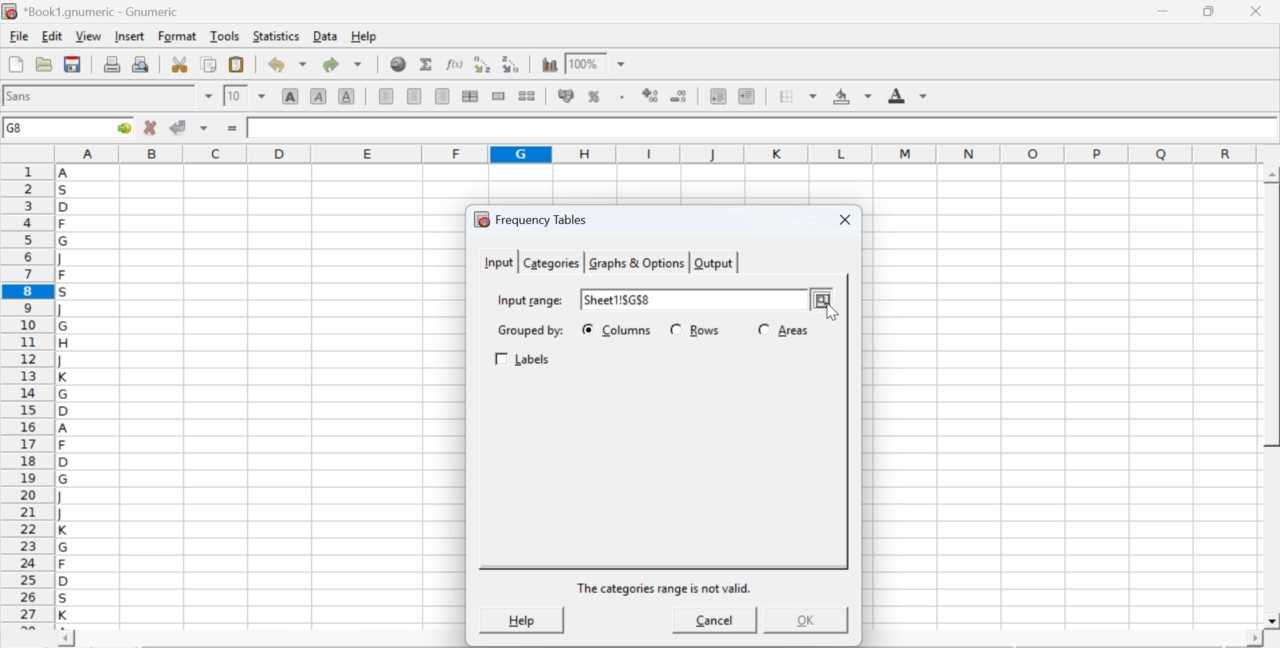 Image resolution: width=1280 pixels, height=648 pixels. What do you see at coordinates (587, 329) in the screenshot?
I see `checkbox` at bounding box center [587, 329].